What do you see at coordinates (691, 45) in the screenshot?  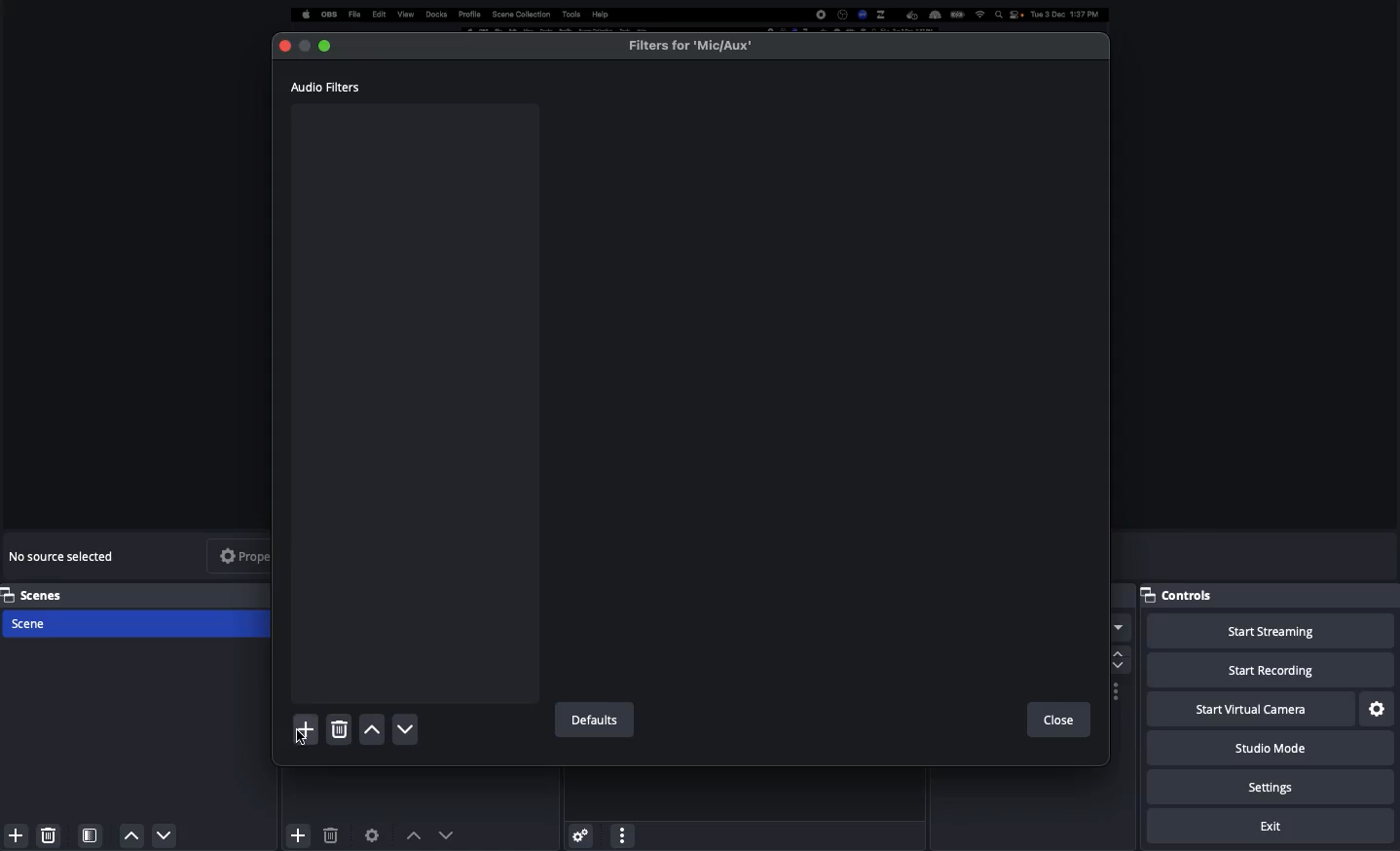 I see `Filters for Mic Aux` at bounding box center [691, 45].